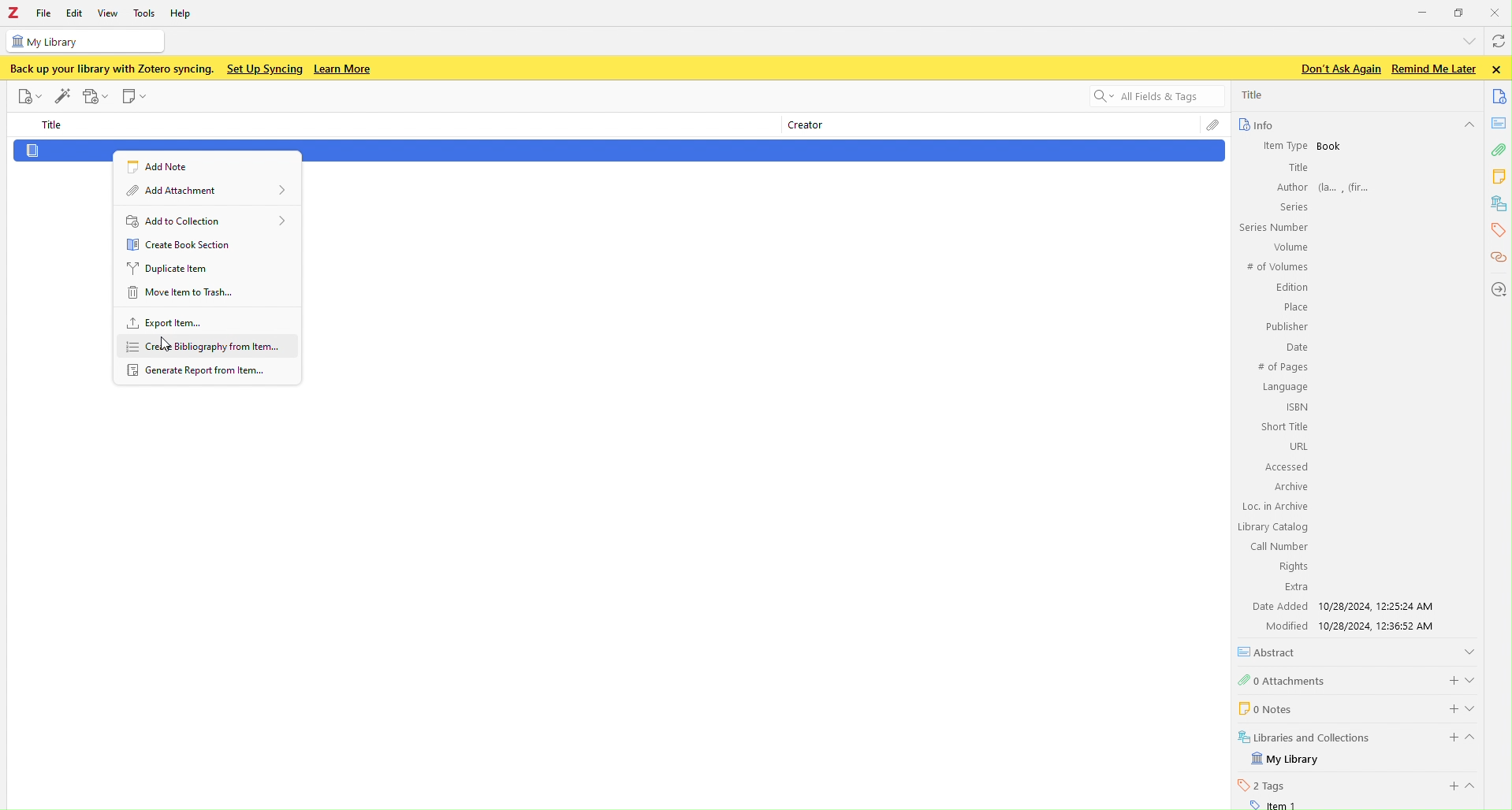  What do you see at coordinates (1305, 736) in the screenshot?
I see `5 Libraries and Collections` at bounding box center [1305, 736].